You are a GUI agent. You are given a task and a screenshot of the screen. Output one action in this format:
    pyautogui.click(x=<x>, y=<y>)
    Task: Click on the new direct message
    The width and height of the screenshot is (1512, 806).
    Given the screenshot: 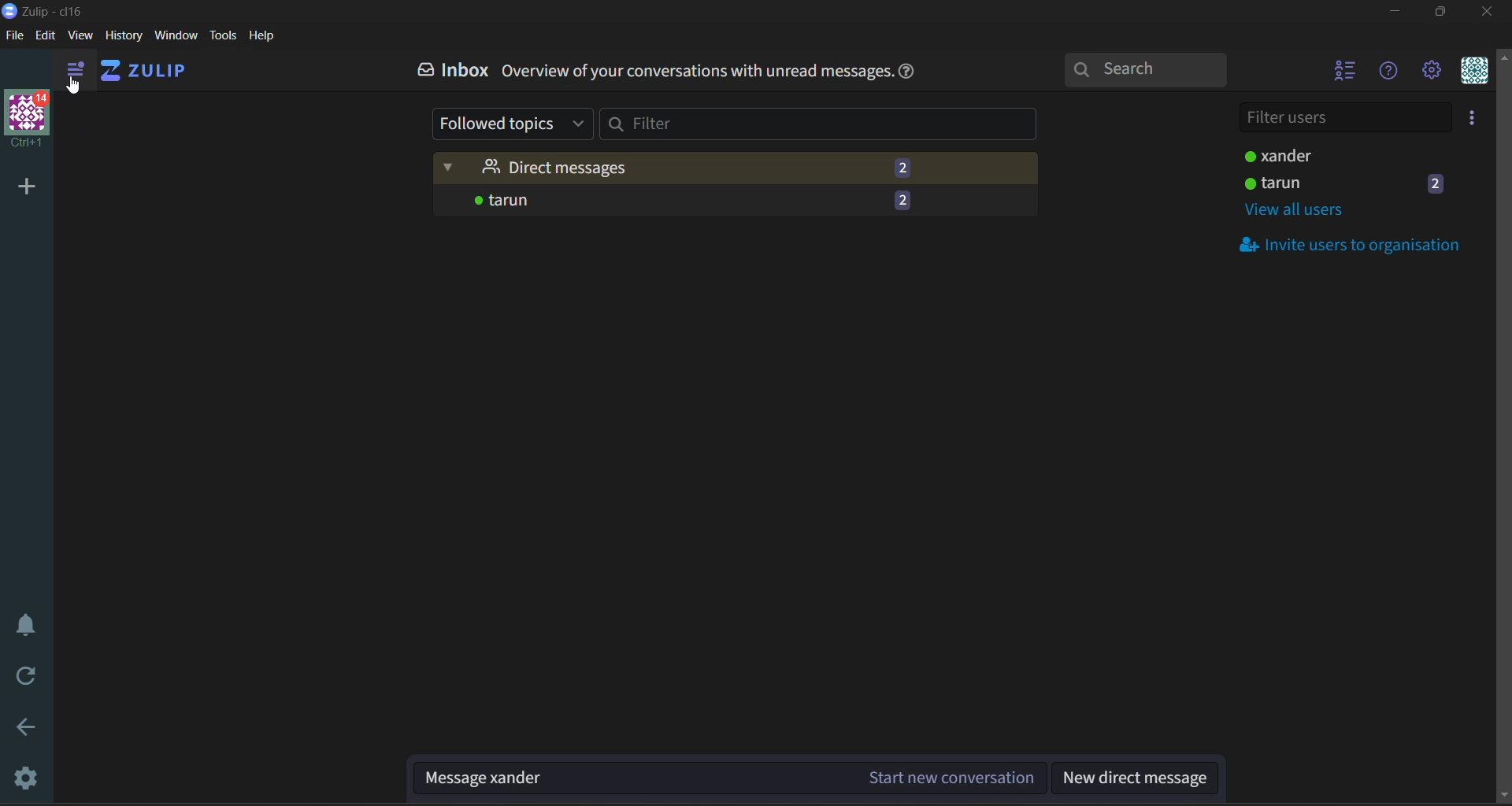 What is the action you would take?
    pyautogui.click(x=1136, y=779)
    